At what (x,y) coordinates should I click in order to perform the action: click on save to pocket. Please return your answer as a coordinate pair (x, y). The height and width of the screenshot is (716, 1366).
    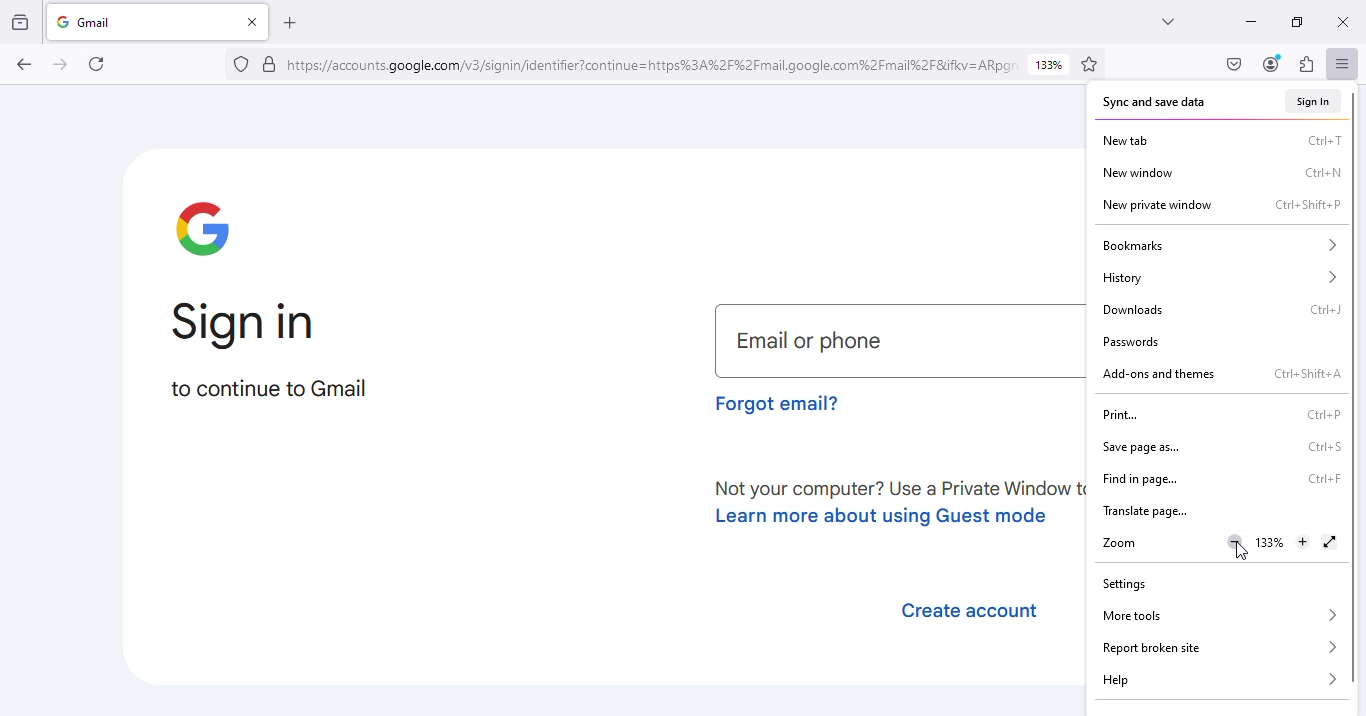
    Looking at the image, I should click on (1235, 64).